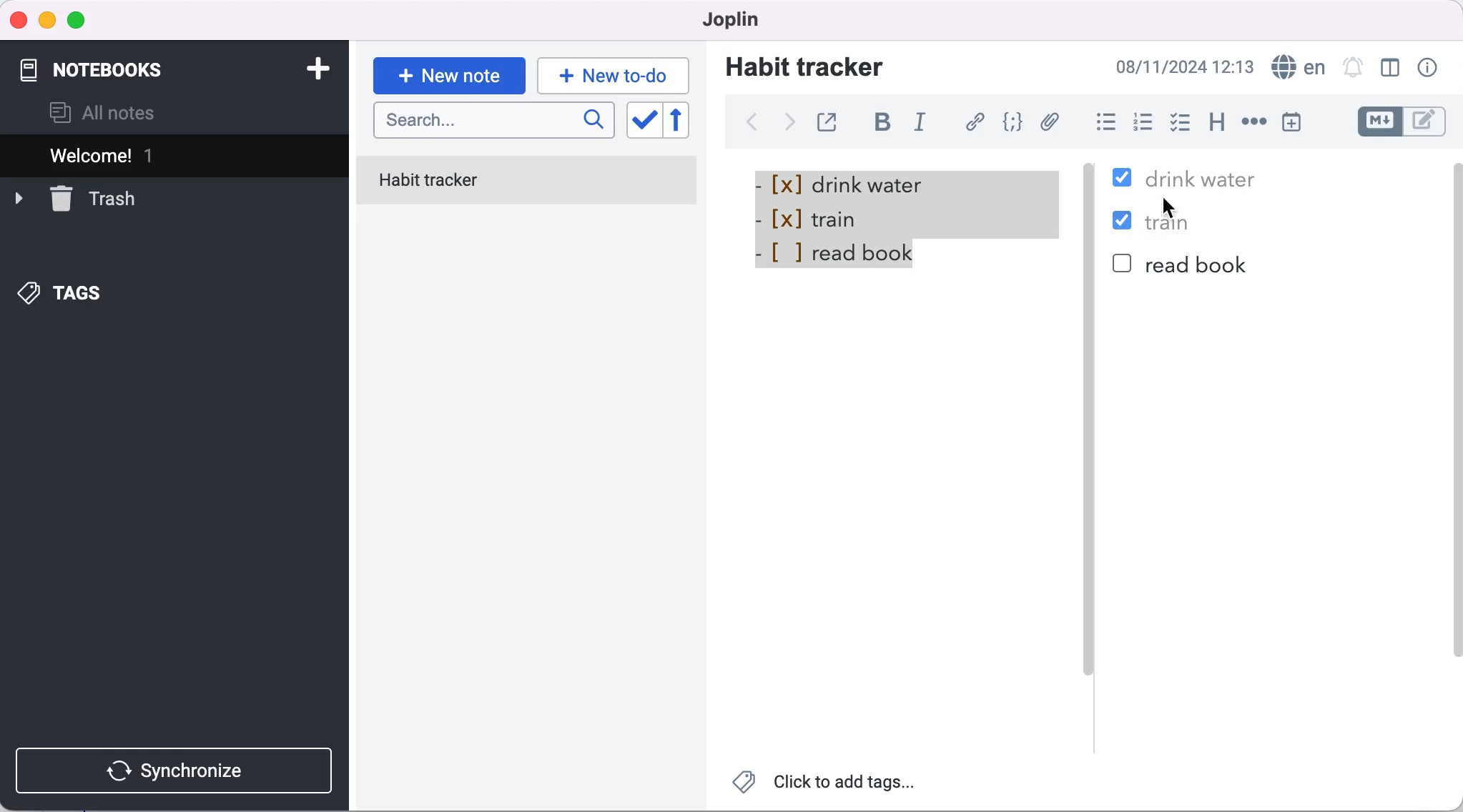 This screenshot has height=812, width=1463. What do you see at coordinates (888, 124) in the screenshot?
I see `bold` at bounding box center [888, 124].